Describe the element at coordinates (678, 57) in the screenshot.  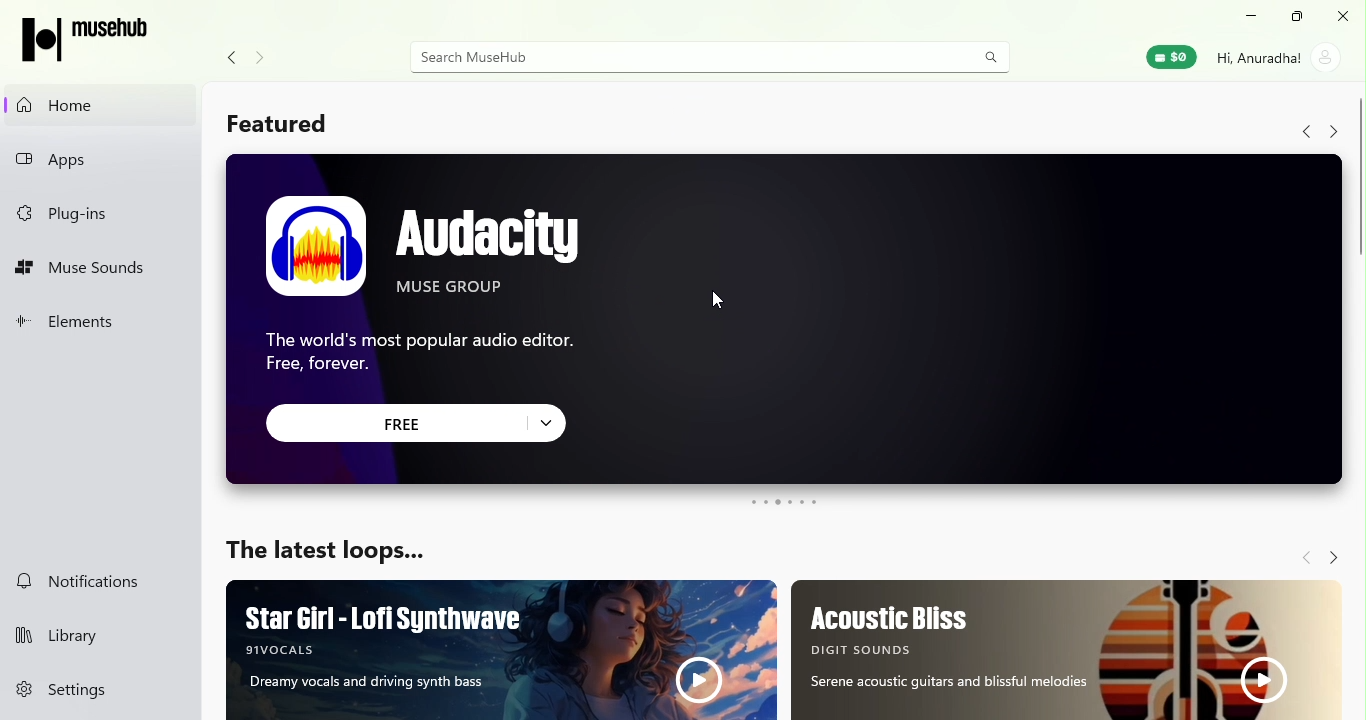
I see `Search bar` at that location.